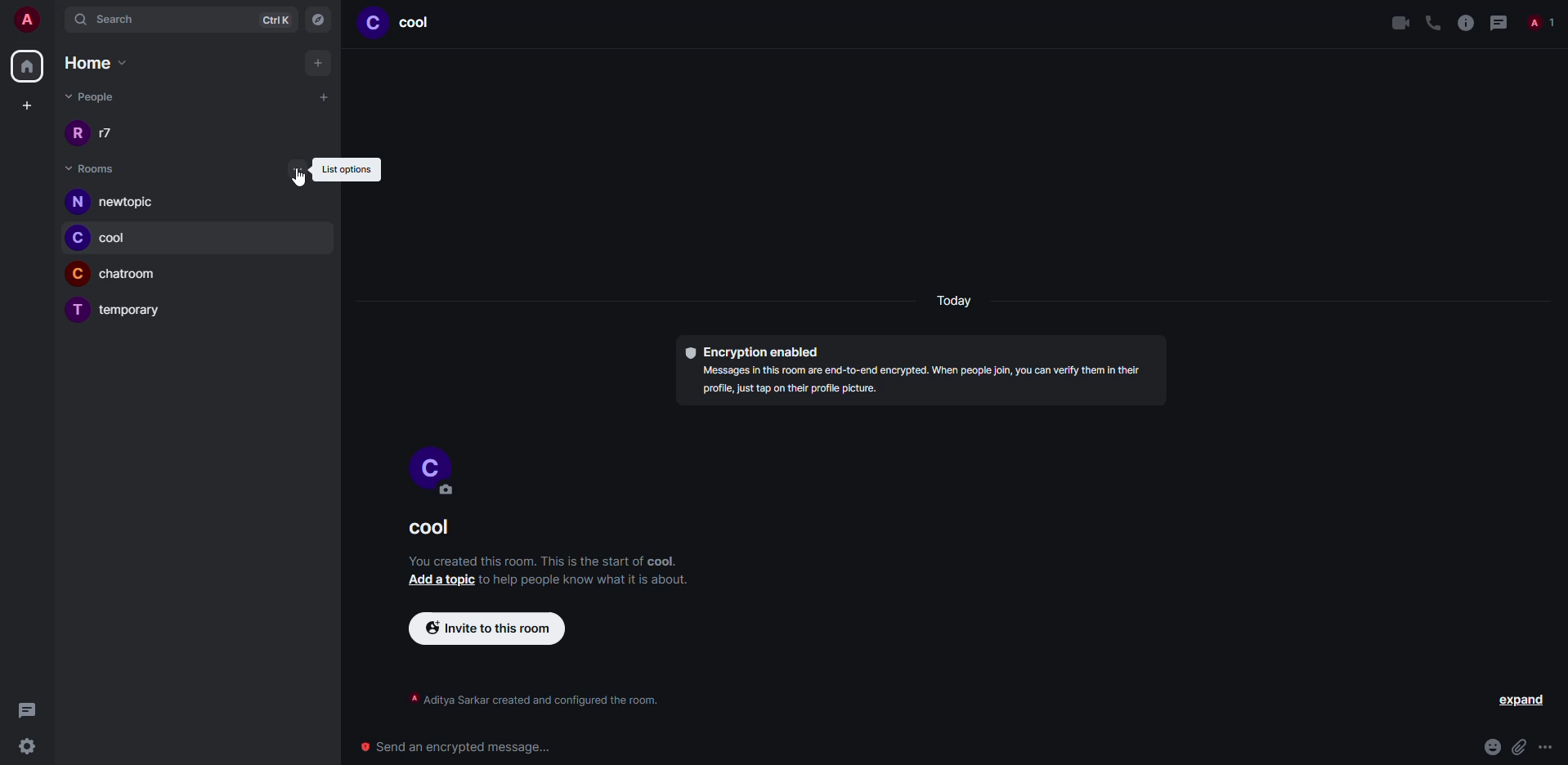 The height and width of the screenshot is (765, 1568). I want to click on expand, so click(1525, 698).